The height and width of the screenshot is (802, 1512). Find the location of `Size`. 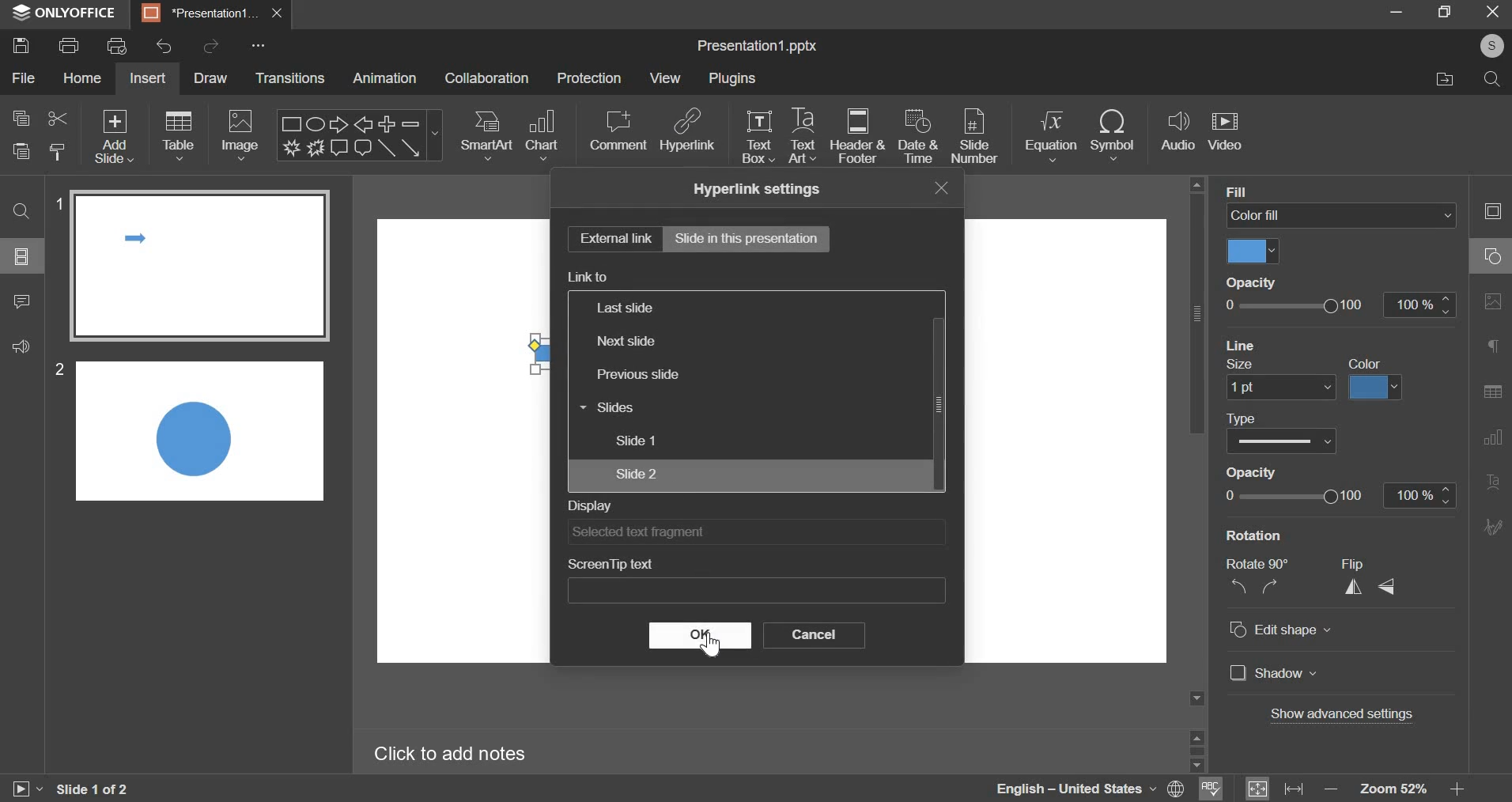

Size is located at coordinates (1242, 365).